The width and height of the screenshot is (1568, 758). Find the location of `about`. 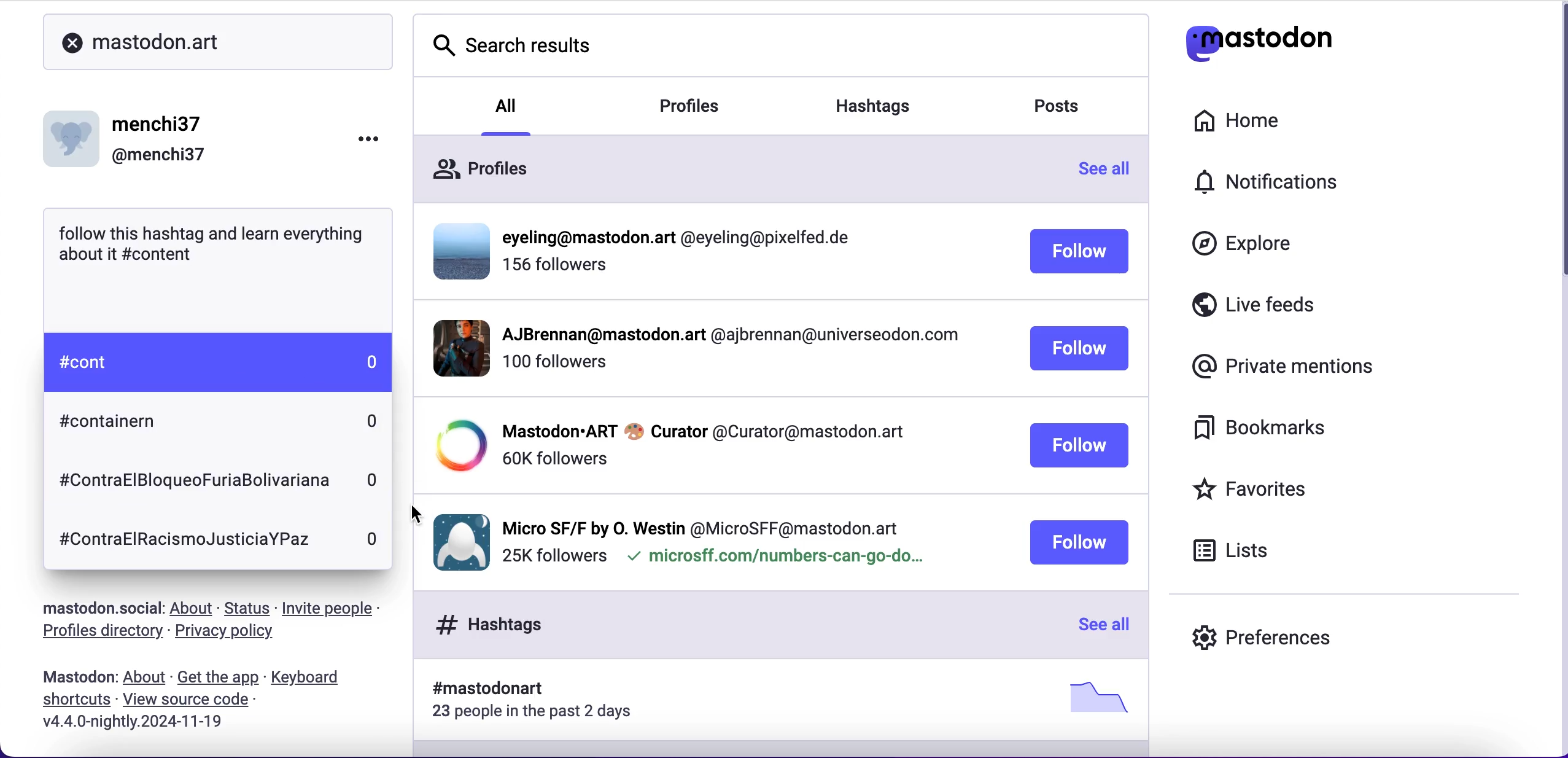

about is located at coordinates (144, 678).